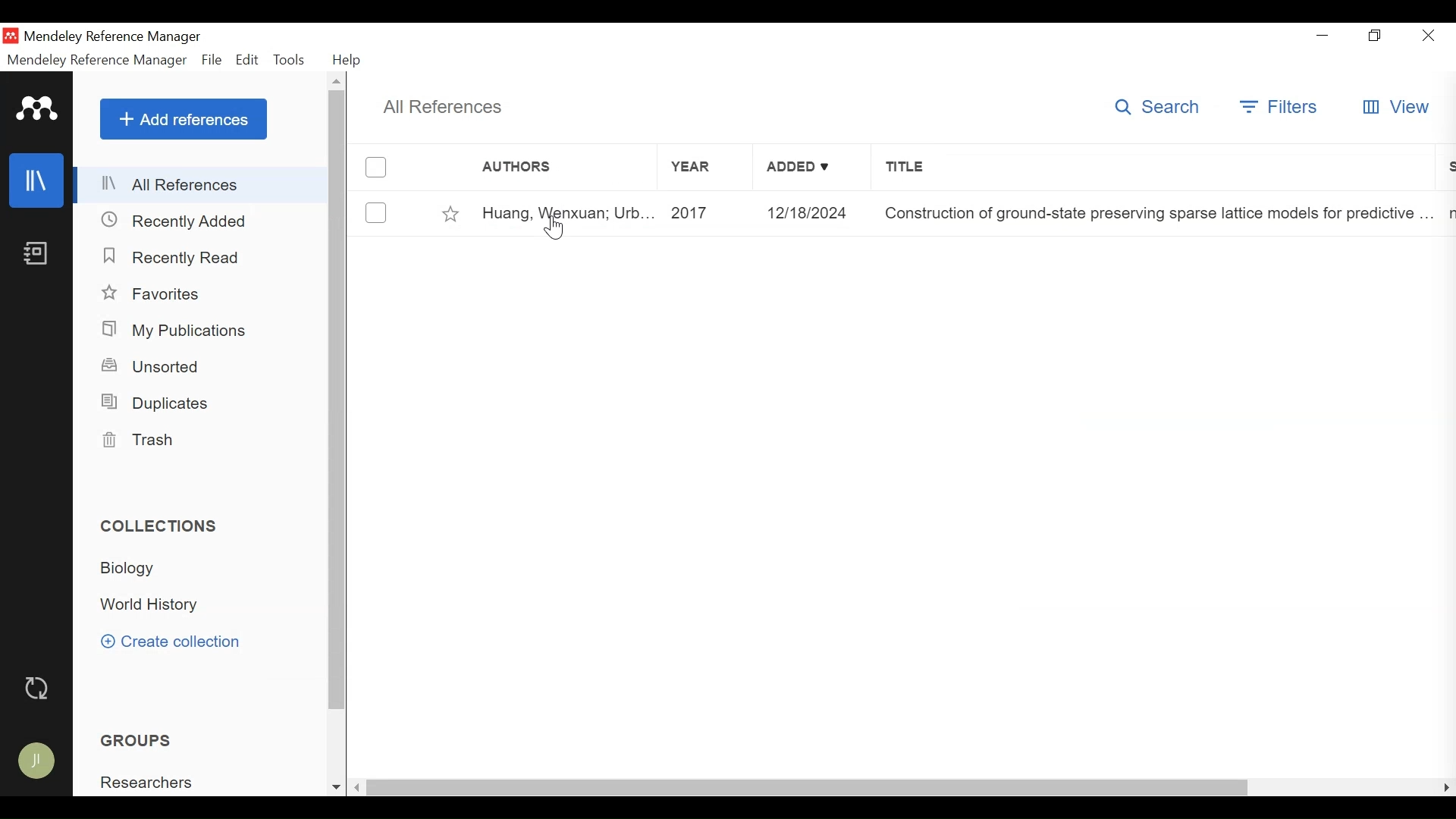 The width and height of the screenshot is (1456, 819). What do you see at coordinates (152, 605) in the screenshot?
I see `world history` at bounding box center [152, 605].